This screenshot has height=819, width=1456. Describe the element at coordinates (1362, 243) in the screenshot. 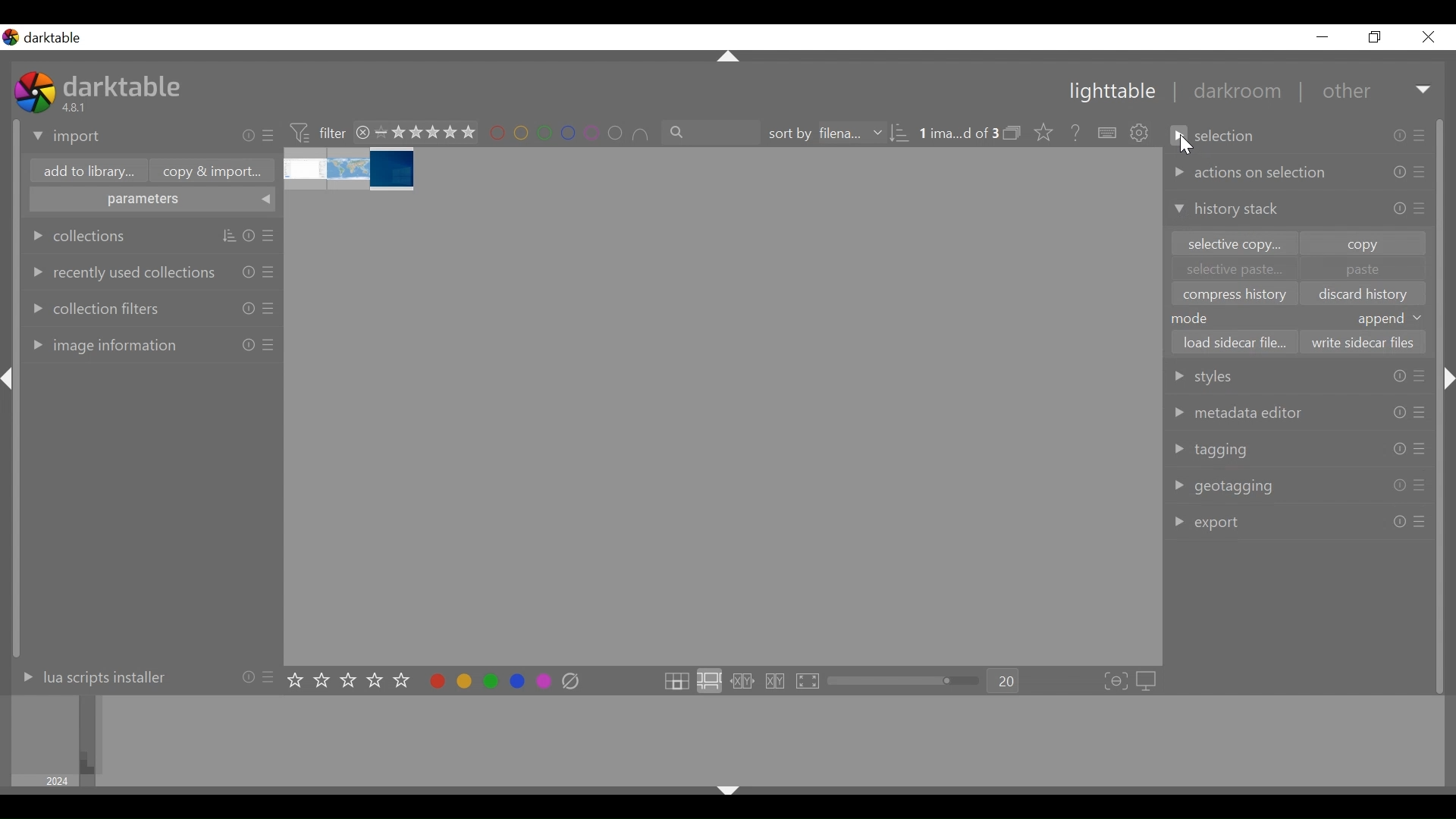

I see `copy` at that location.